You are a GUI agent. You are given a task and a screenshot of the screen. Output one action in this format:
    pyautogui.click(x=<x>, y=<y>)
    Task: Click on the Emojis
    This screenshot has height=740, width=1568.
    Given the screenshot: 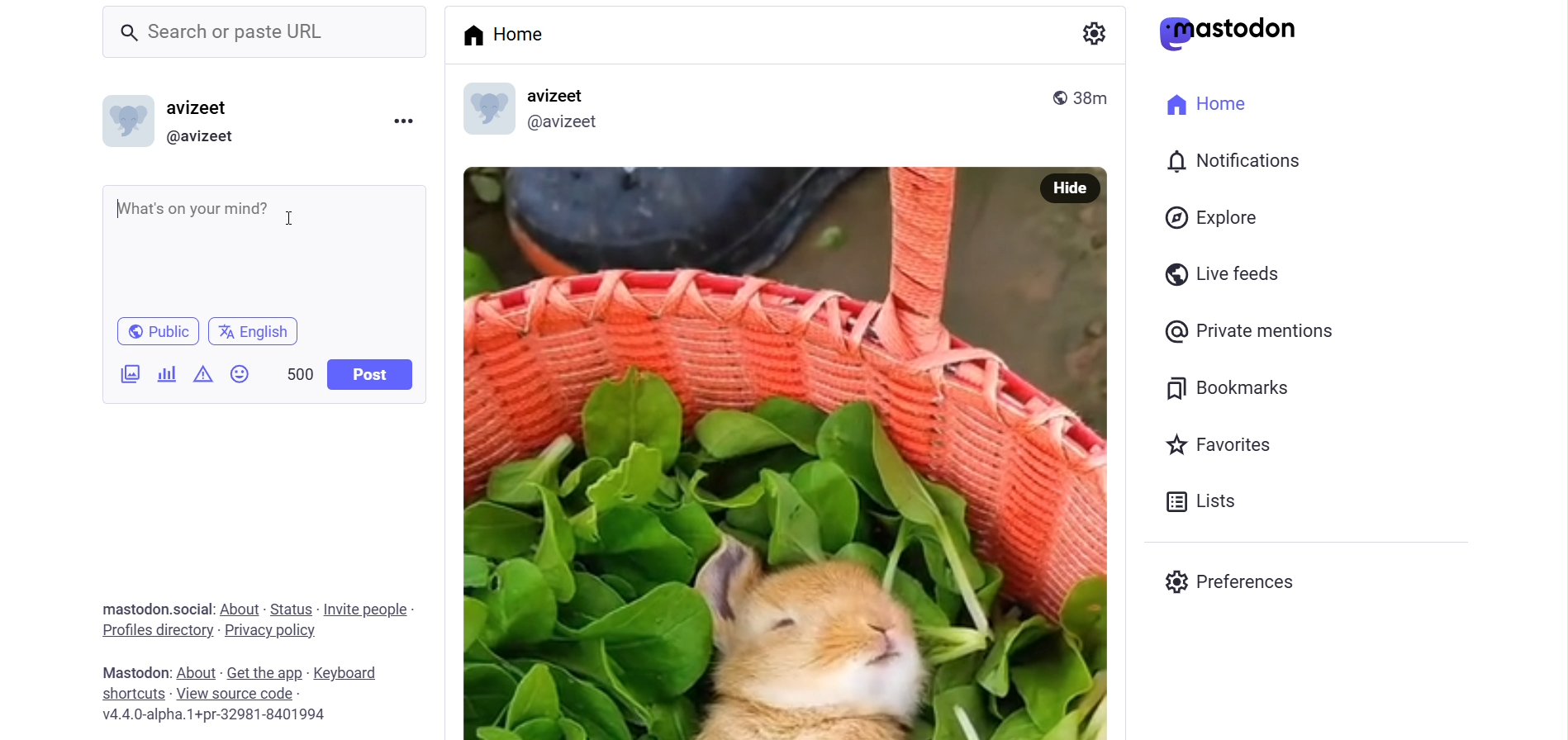 What is the action you would take?
    pyautogui.click(x=242, y=373)
    